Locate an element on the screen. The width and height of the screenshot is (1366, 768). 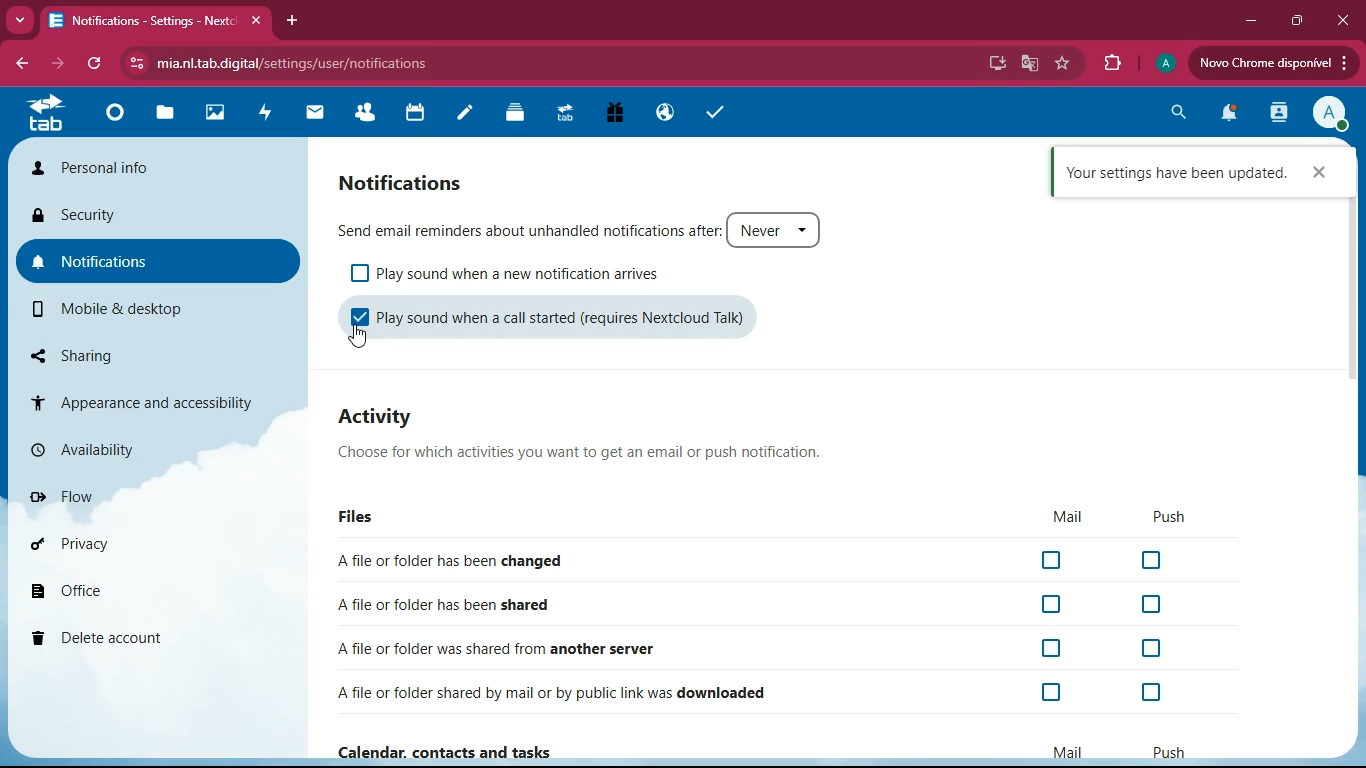
flow is located at coordinates (68, 493).